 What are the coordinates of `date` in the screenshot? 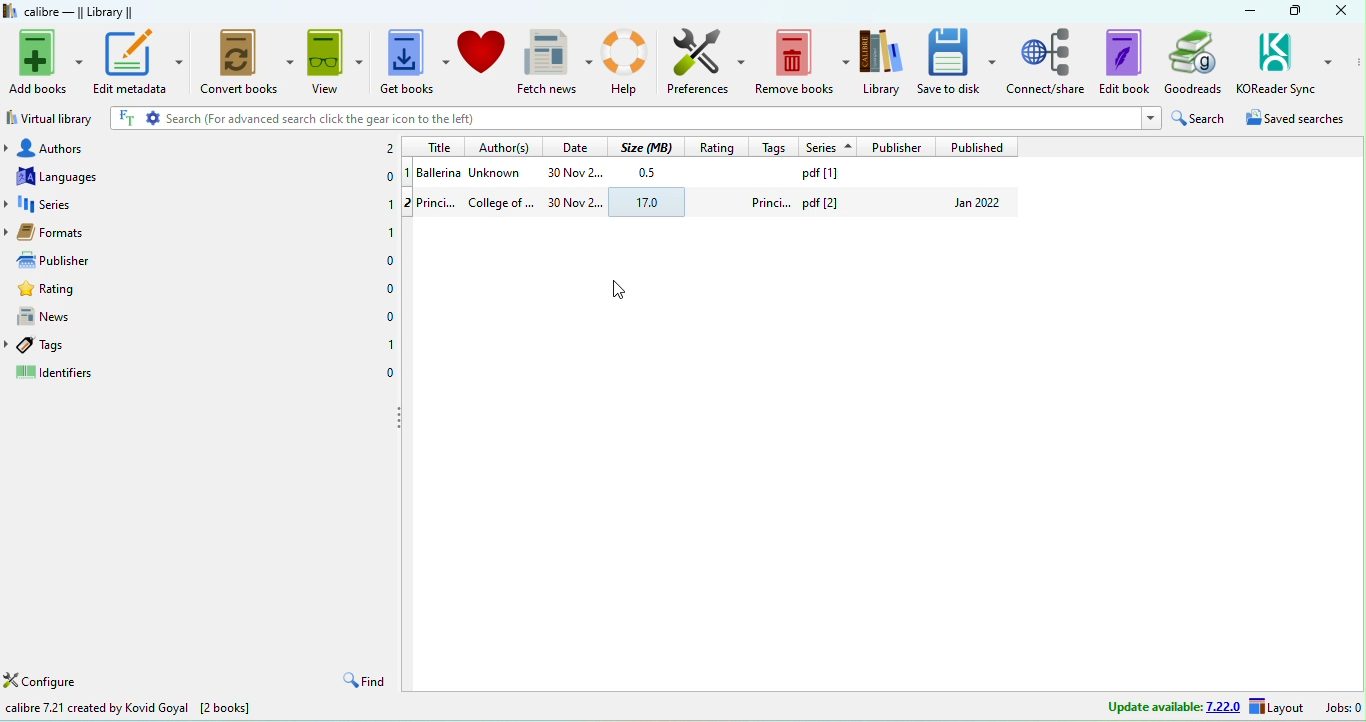 It's located at (576, 147).